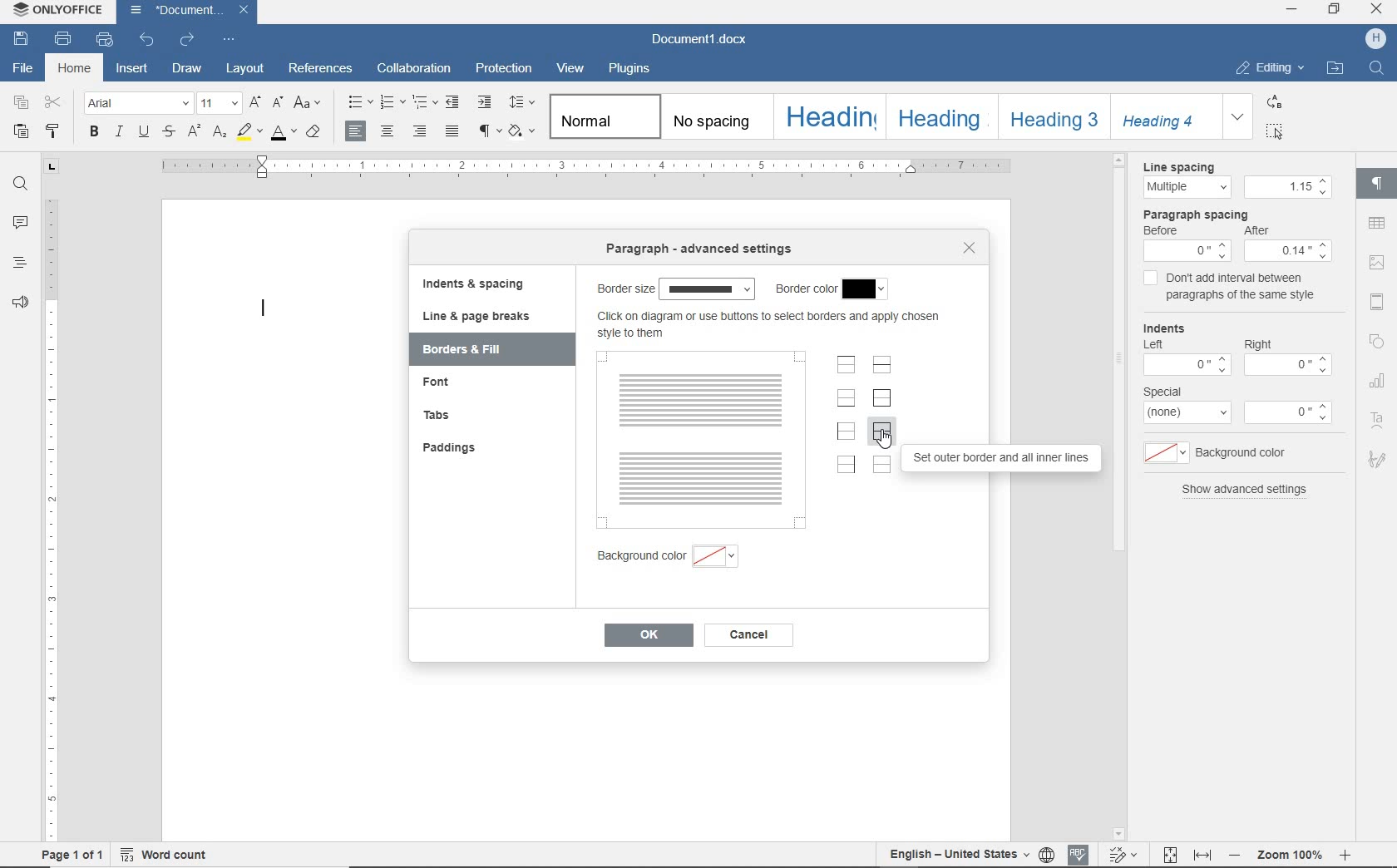  What do you see at coordinates (486, 316) in the screenshot?
I see `line & page breaks` at bounding box center [486, 316].